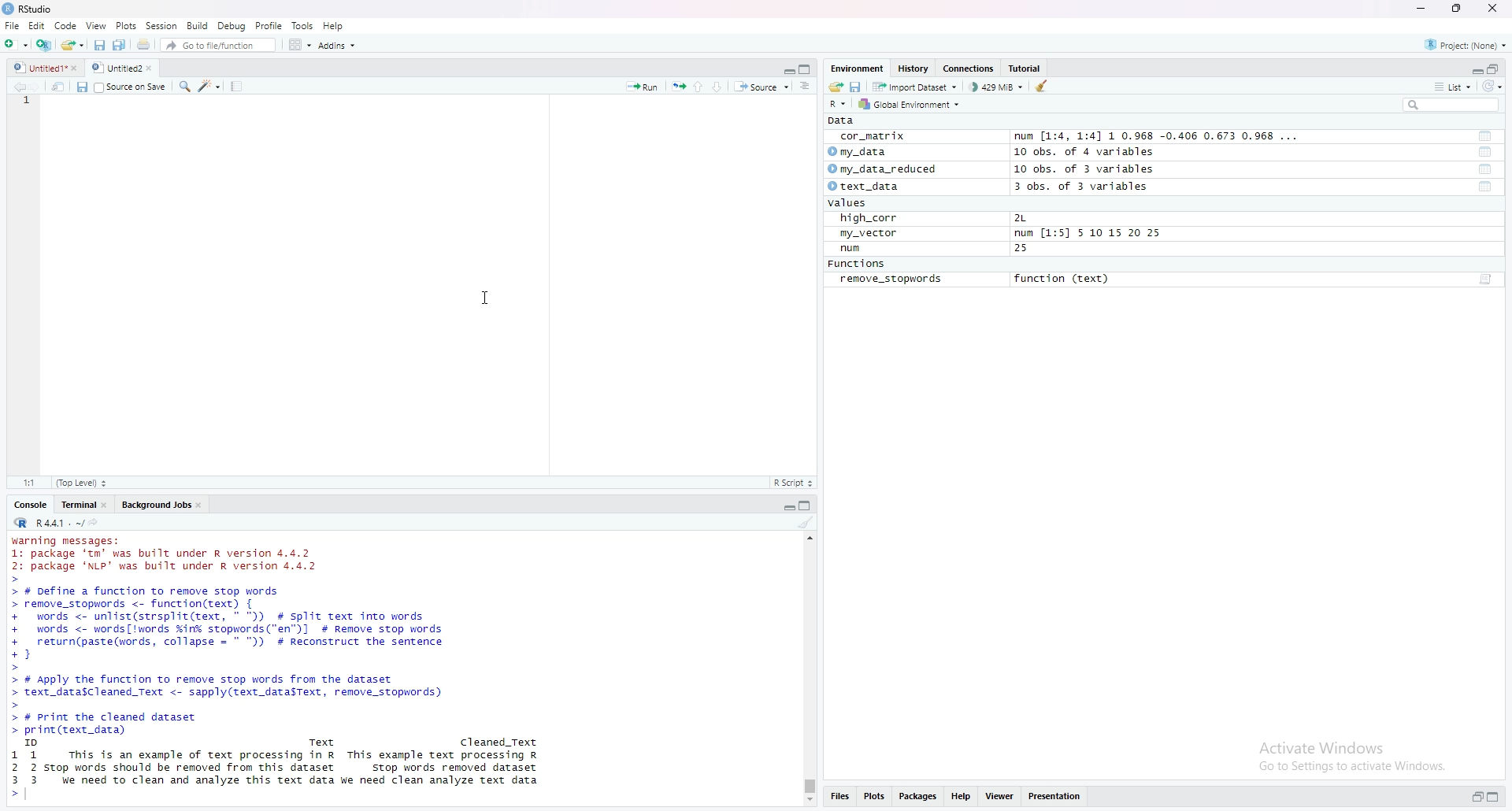  What do you see at coordinates (35, 87) in the screenshot?
I see `Next` at bounding box center [35, 87].